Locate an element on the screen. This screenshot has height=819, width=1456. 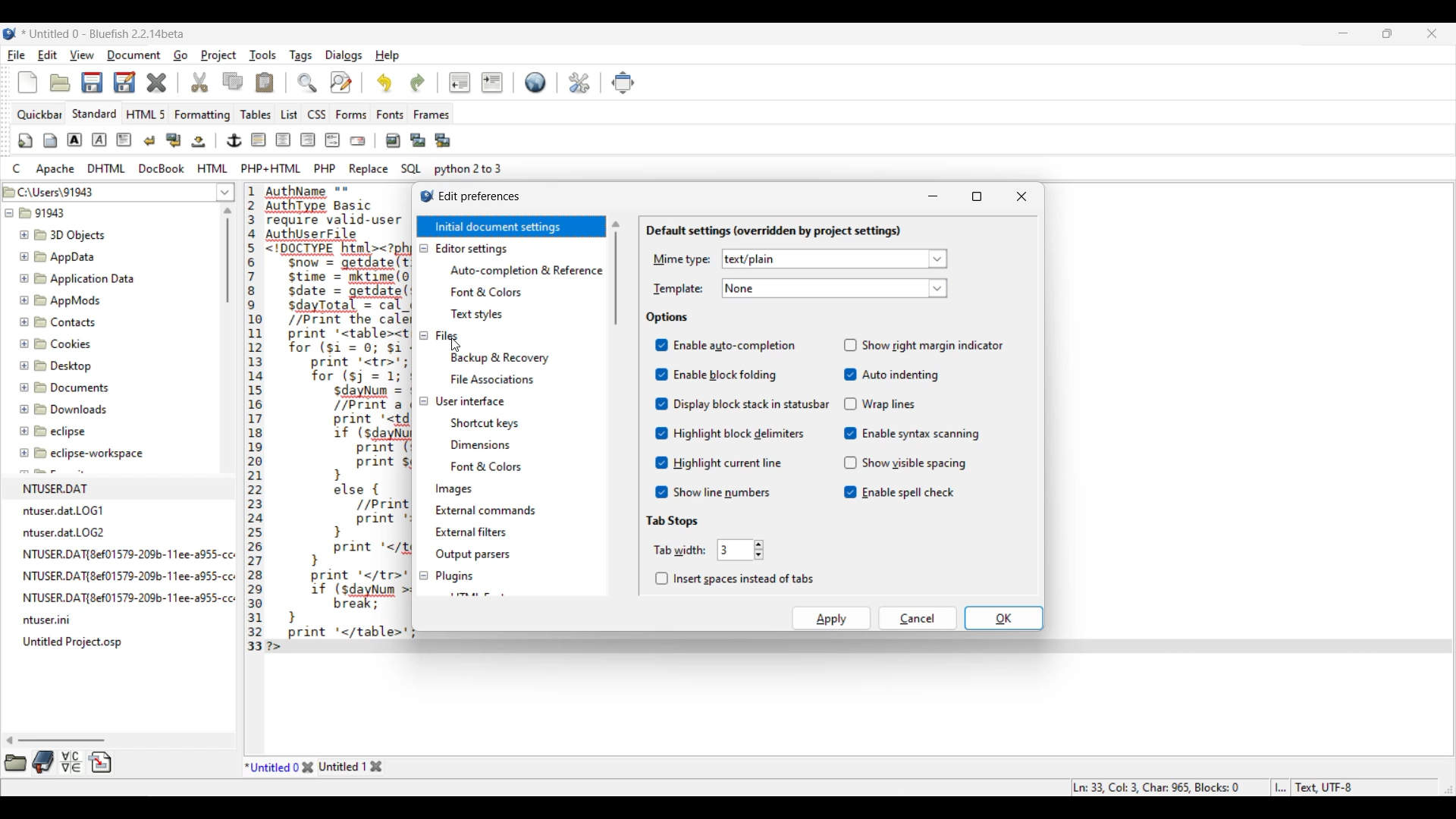
Toggle settings is located at coordinates (933, 419).